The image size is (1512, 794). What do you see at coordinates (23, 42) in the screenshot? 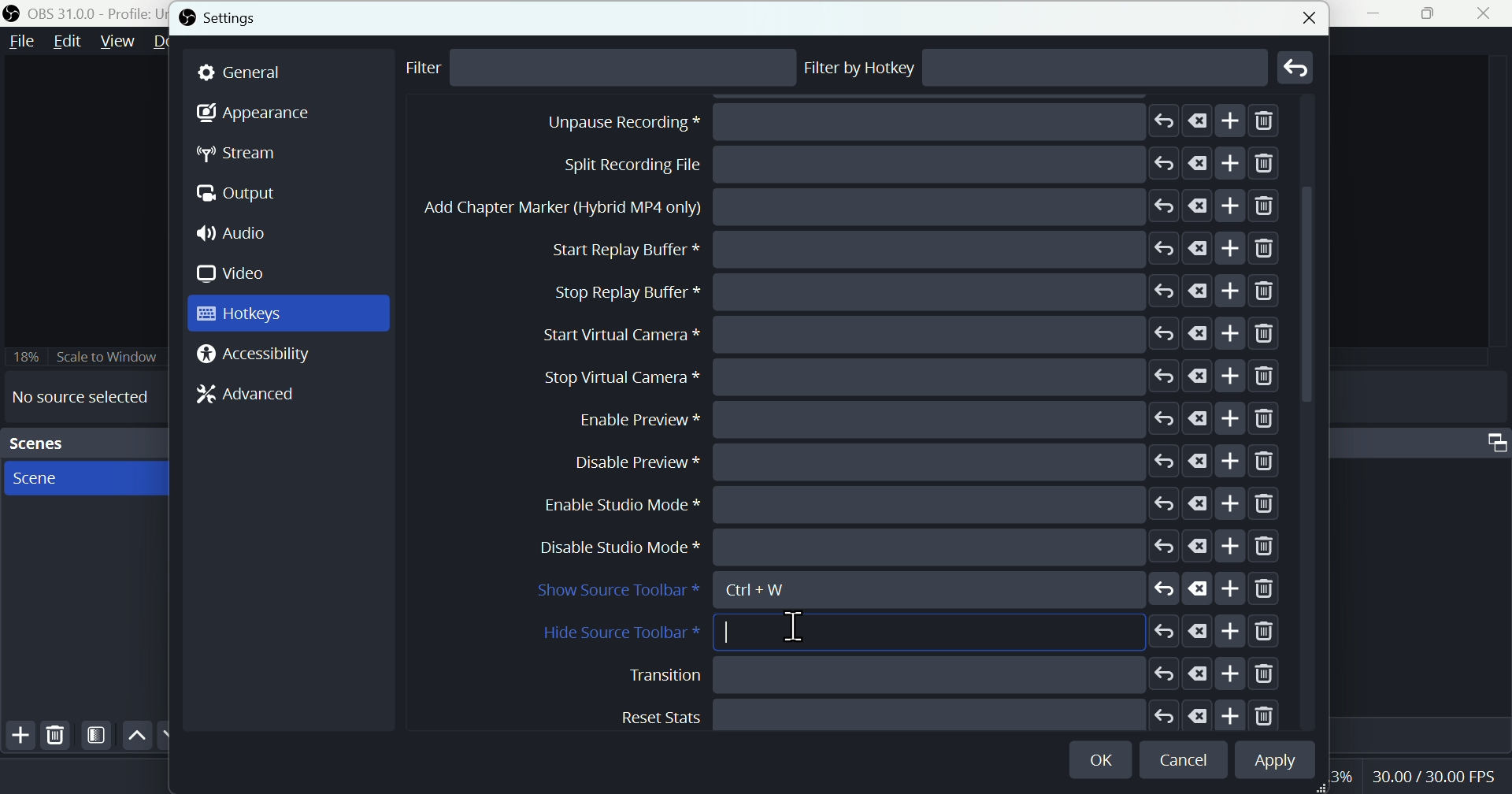
I see `file` at bounding box center [23, 42].